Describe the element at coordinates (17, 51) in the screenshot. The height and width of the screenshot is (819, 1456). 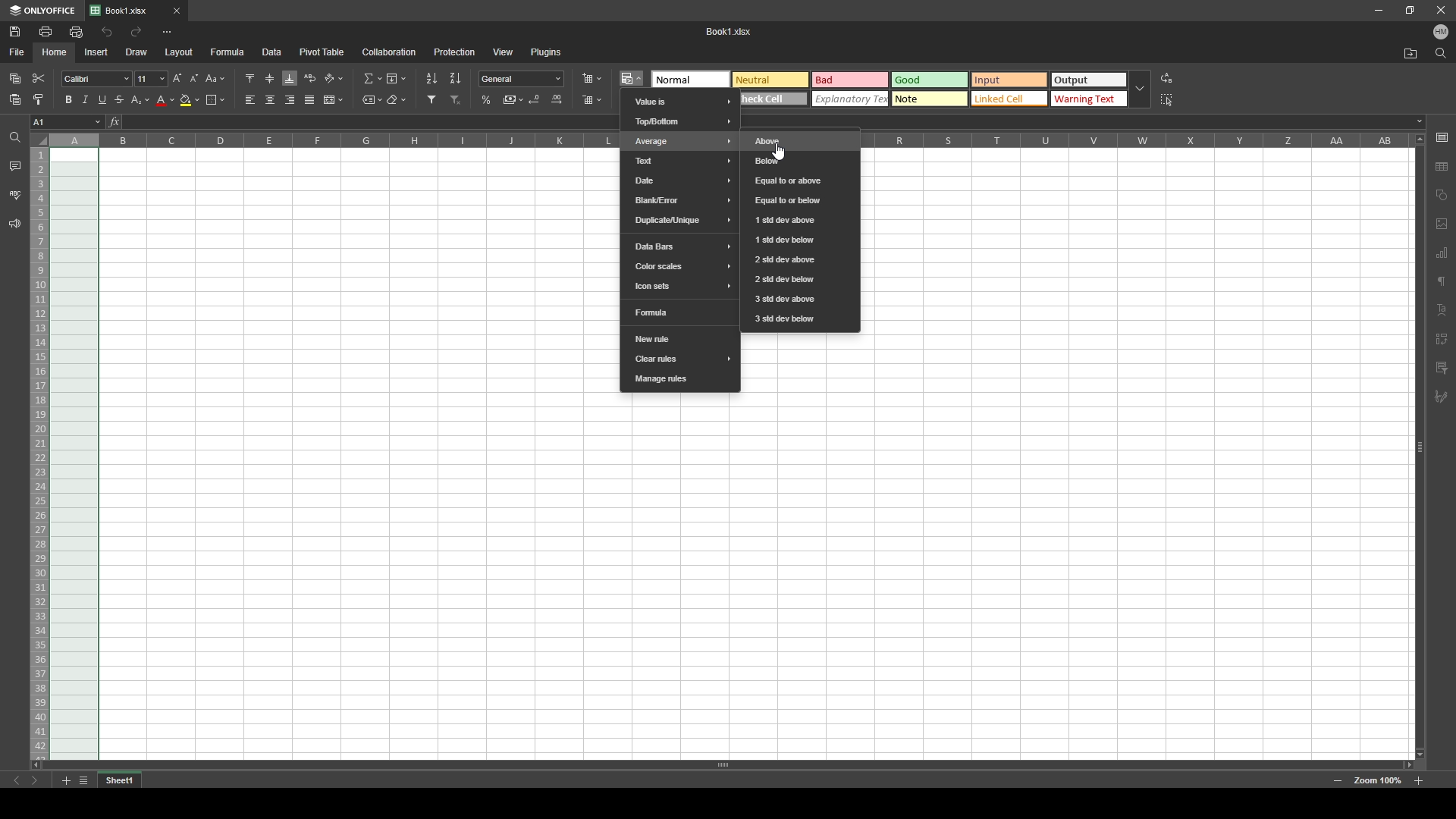
I see `file` at that location.